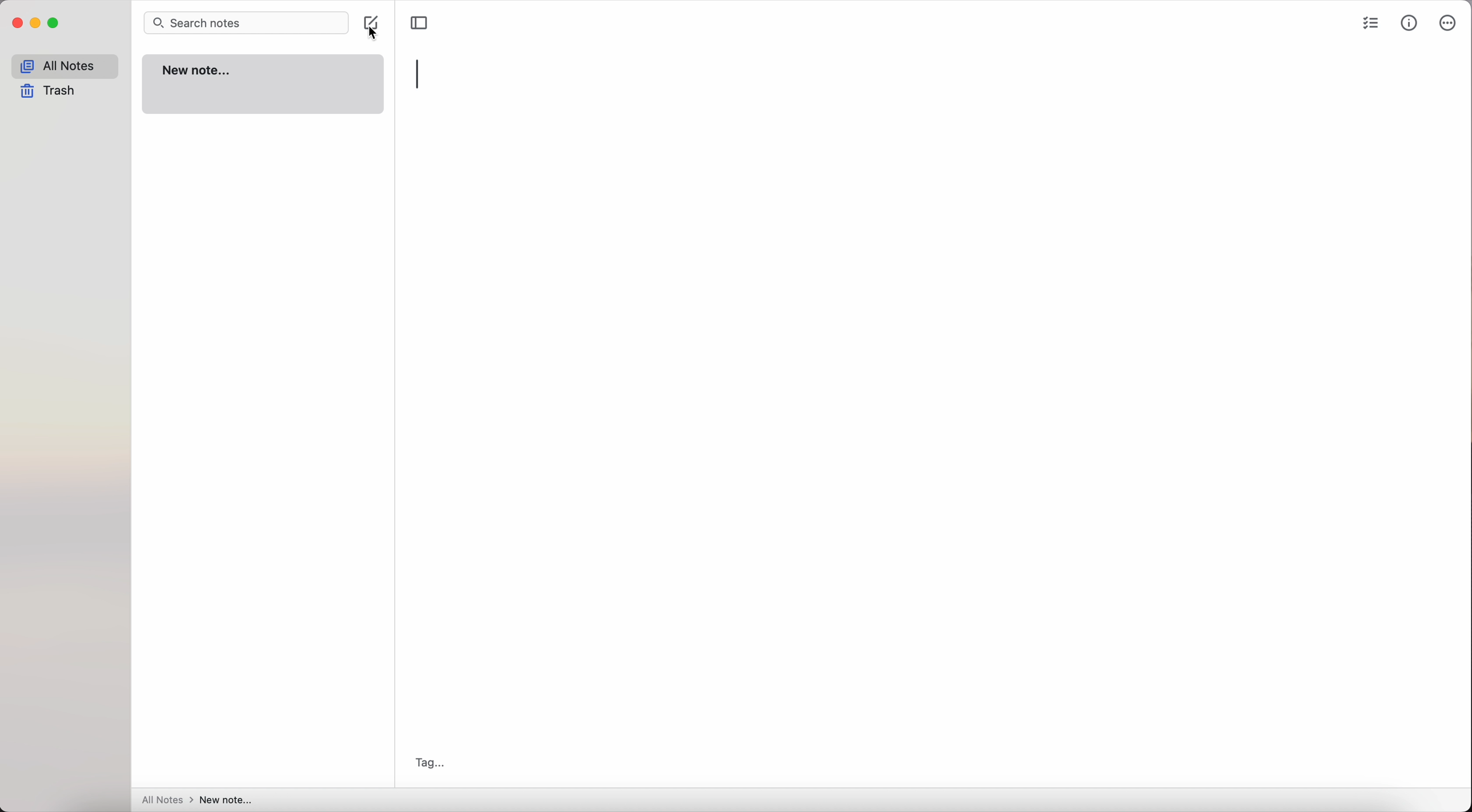  I want to click on create note, so click(374, 29).